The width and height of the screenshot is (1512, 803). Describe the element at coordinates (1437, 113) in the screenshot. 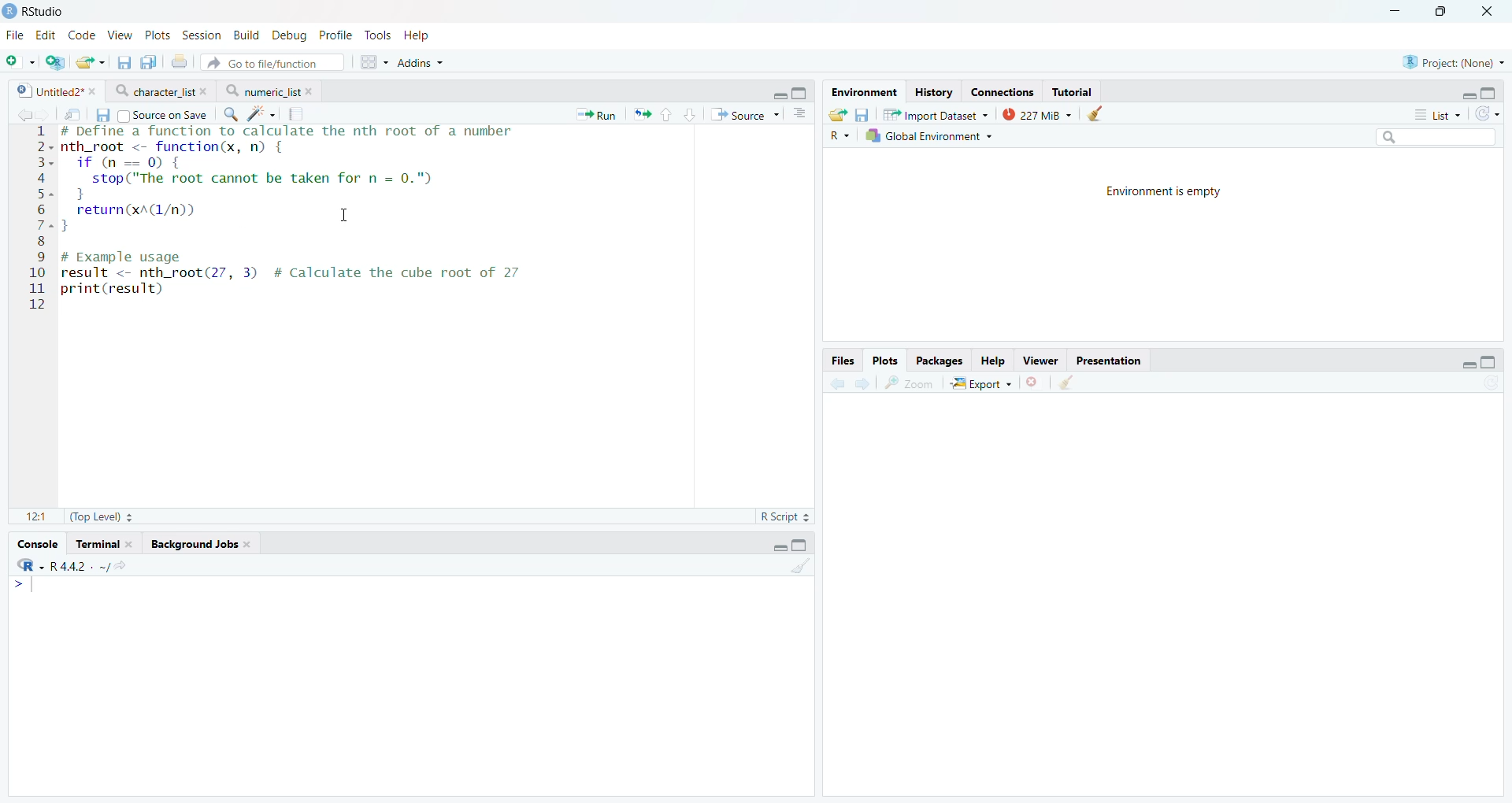

I see `List` at that location.